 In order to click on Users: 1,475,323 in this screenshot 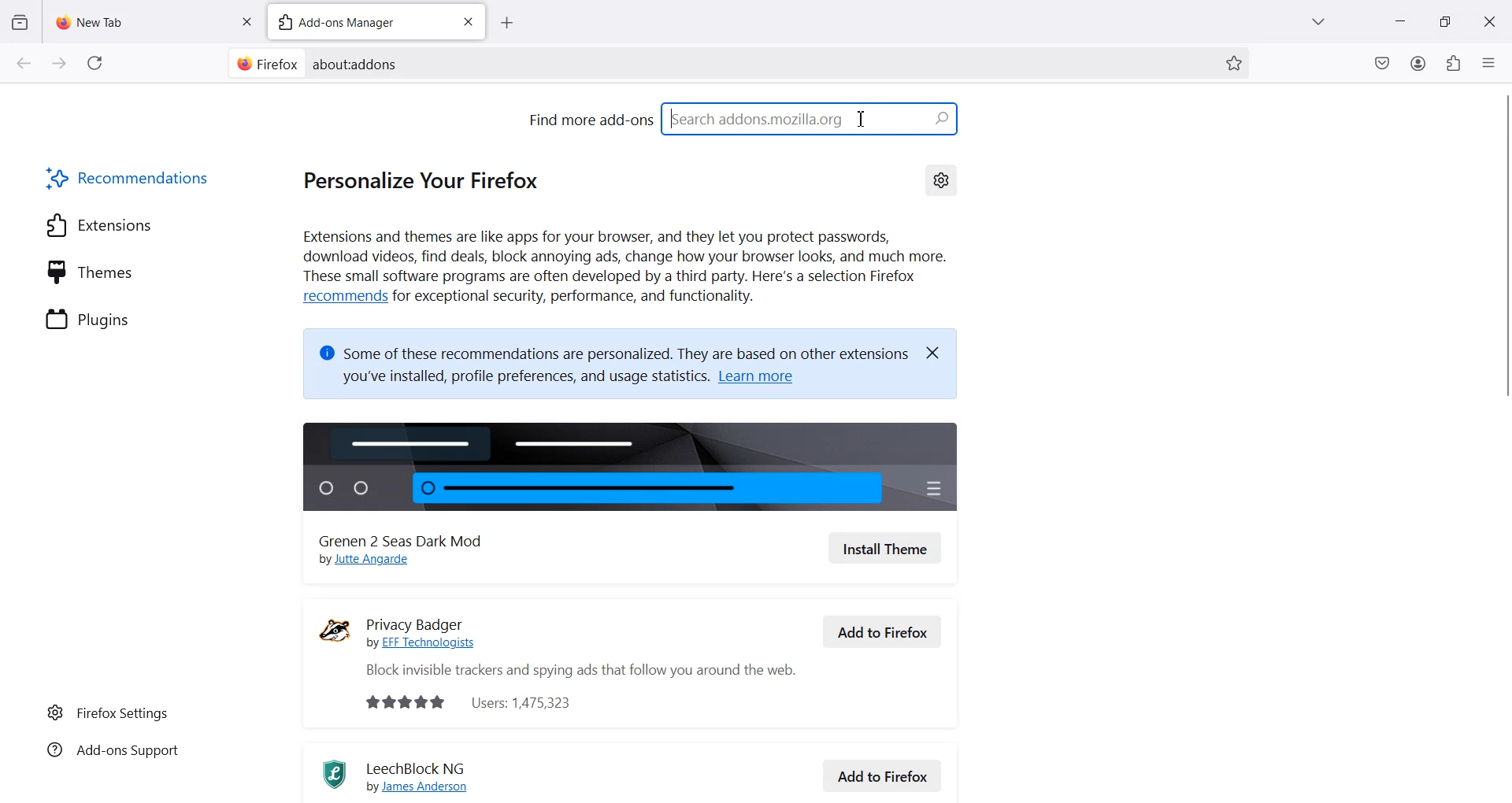, I will do `click(530, 701)`.